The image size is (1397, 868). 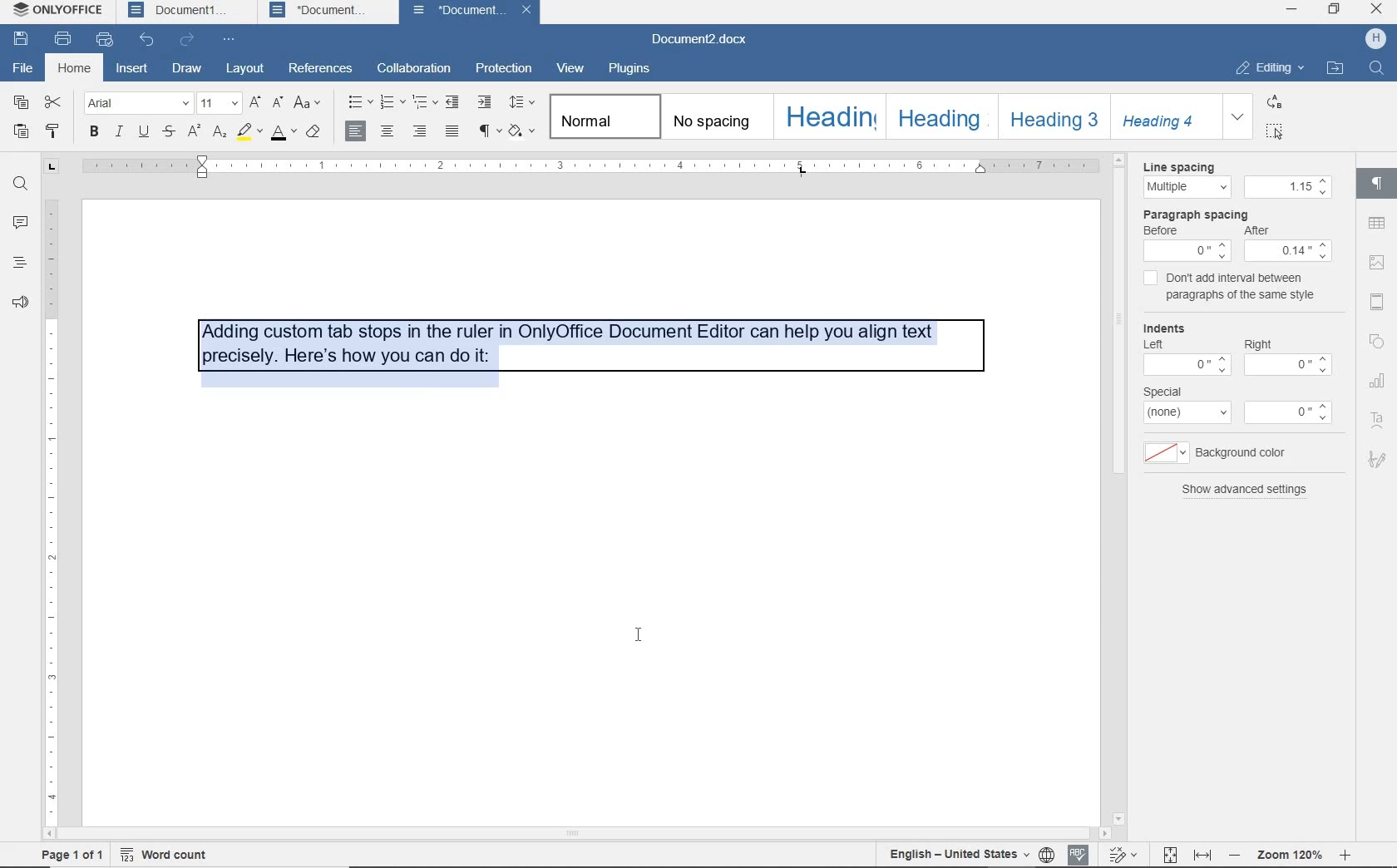 I want to click on insert, so click(x=131, y=70).